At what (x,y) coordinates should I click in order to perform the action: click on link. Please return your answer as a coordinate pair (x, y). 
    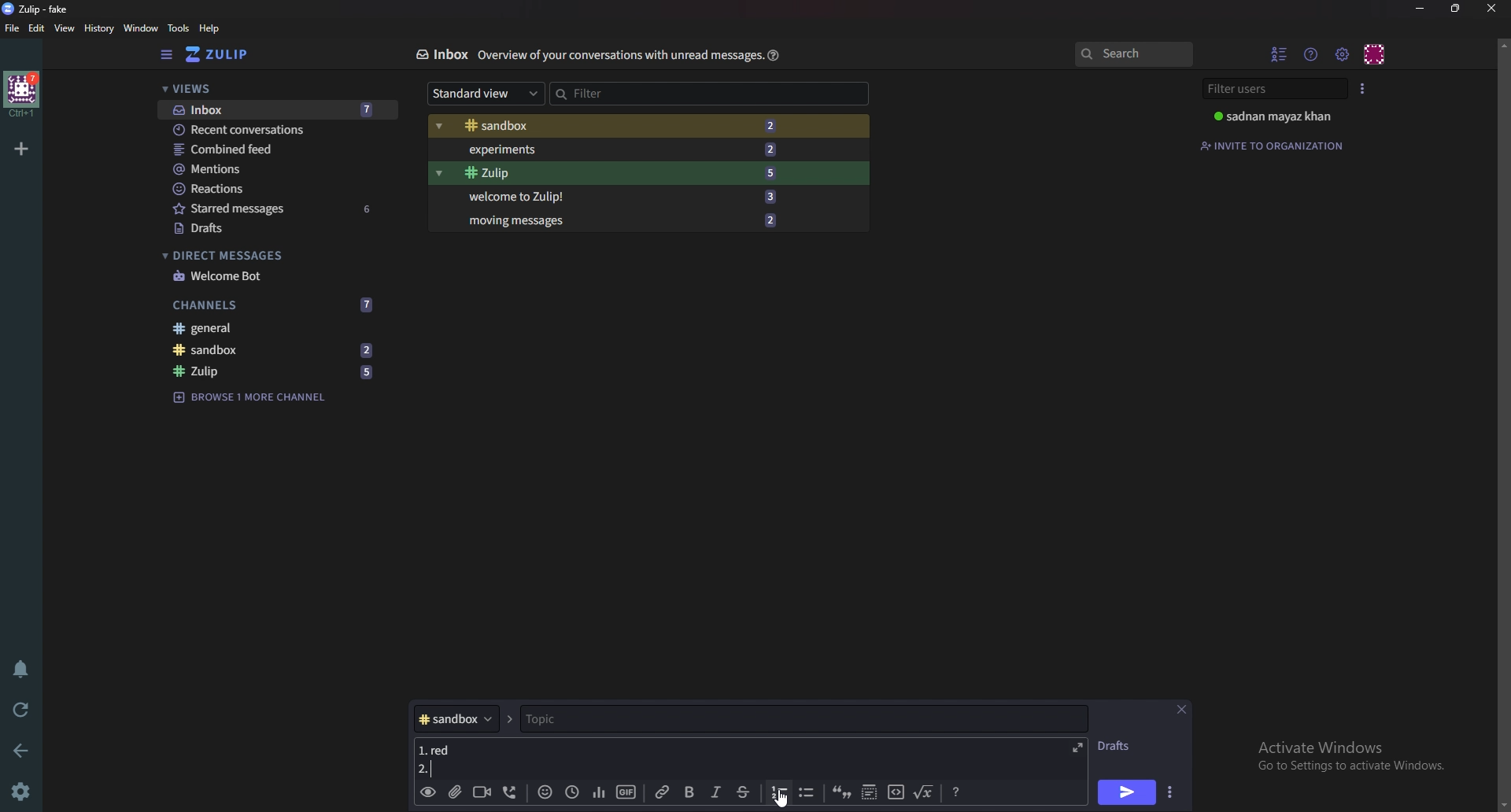
    Looking at the image, I should click on (663, 792).